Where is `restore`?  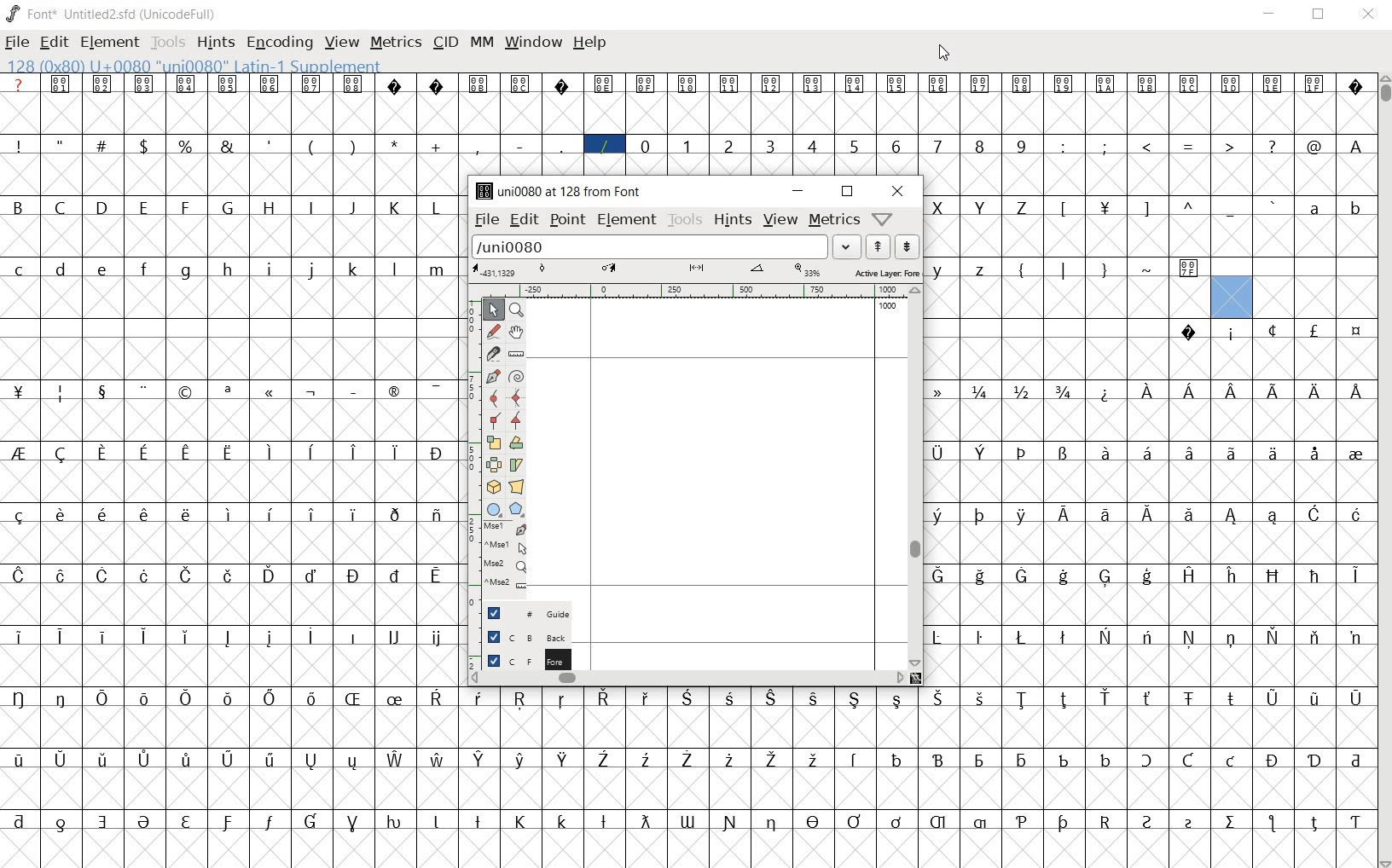
restore is located at coordinates (847, 192).